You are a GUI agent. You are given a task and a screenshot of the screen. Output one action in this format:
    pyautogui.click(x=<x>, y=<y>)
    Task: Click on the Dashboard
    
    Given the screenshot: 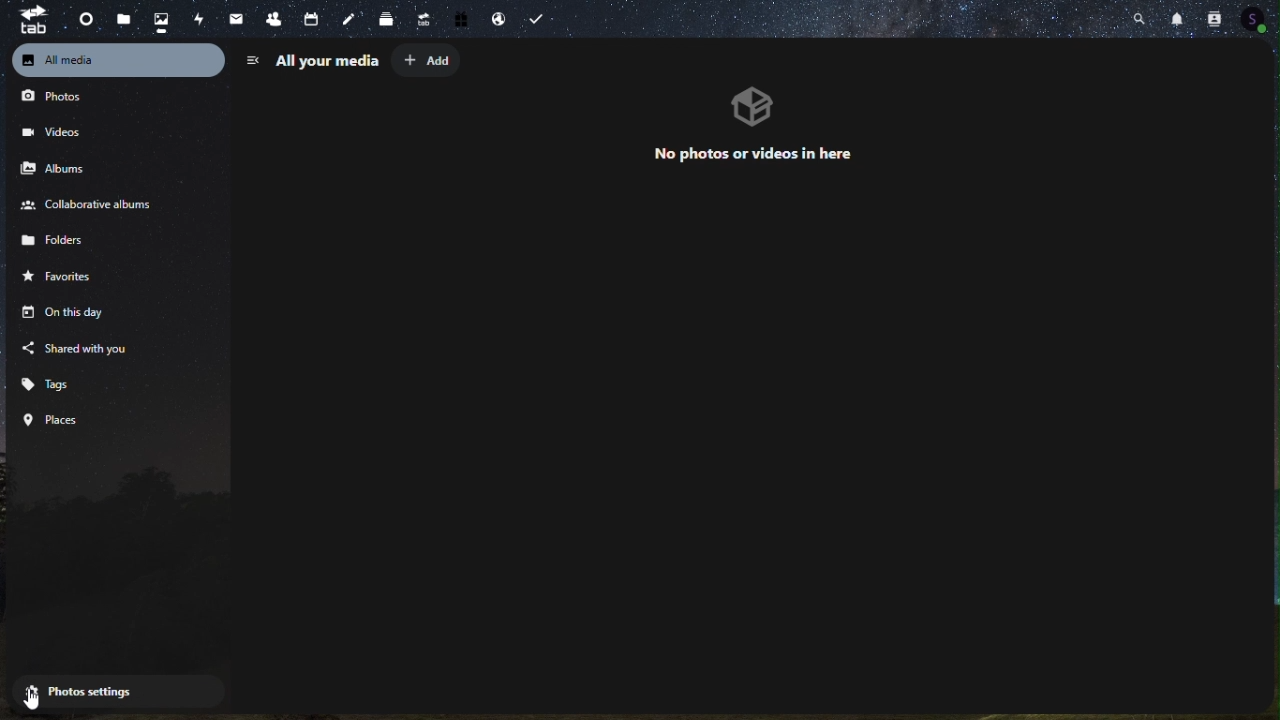 What is the action you would take?
    pyautogui.click(x=80, y=17)
    